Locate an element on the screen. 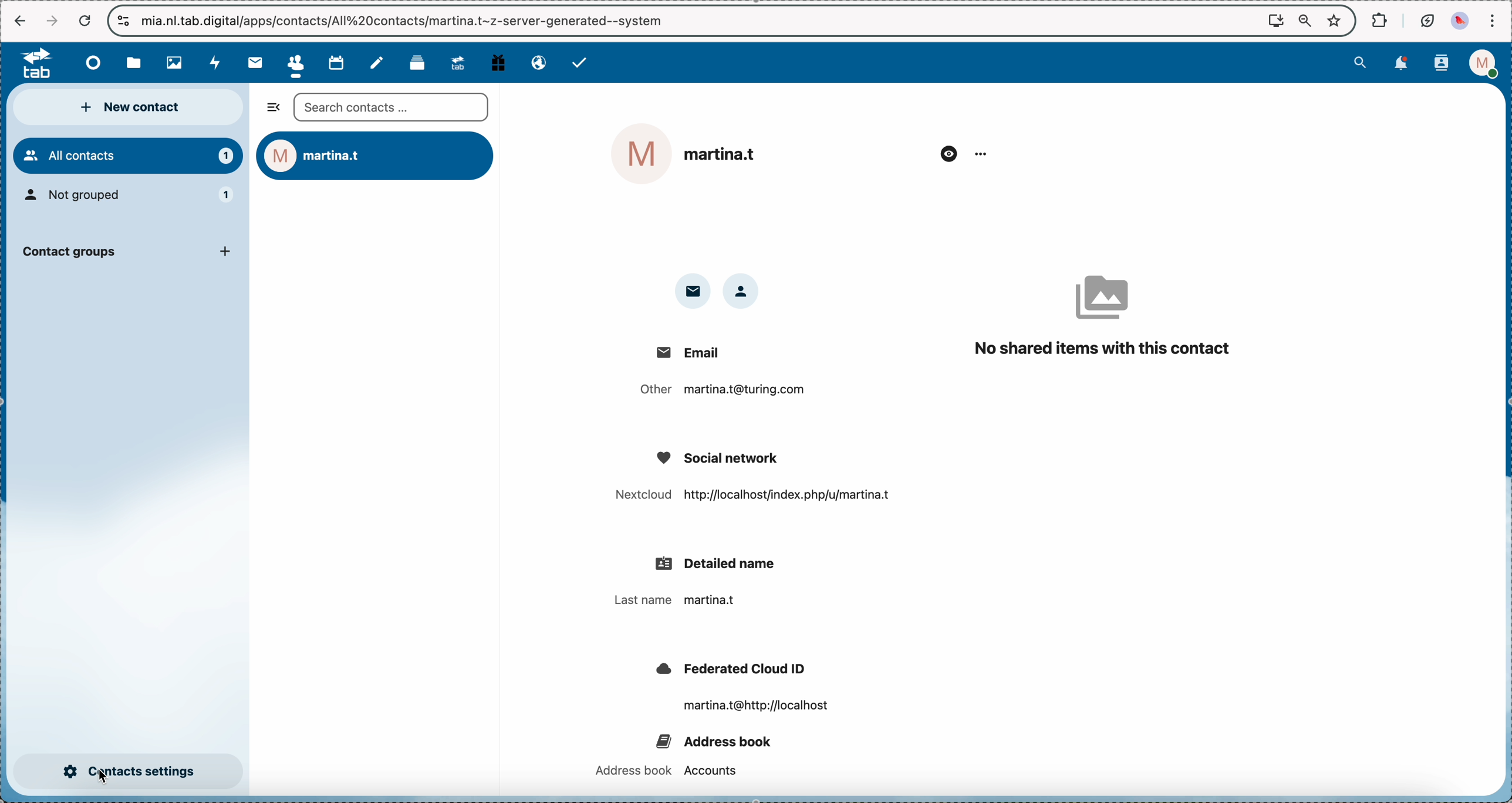  dashboard is located at coordinates (88, 63).